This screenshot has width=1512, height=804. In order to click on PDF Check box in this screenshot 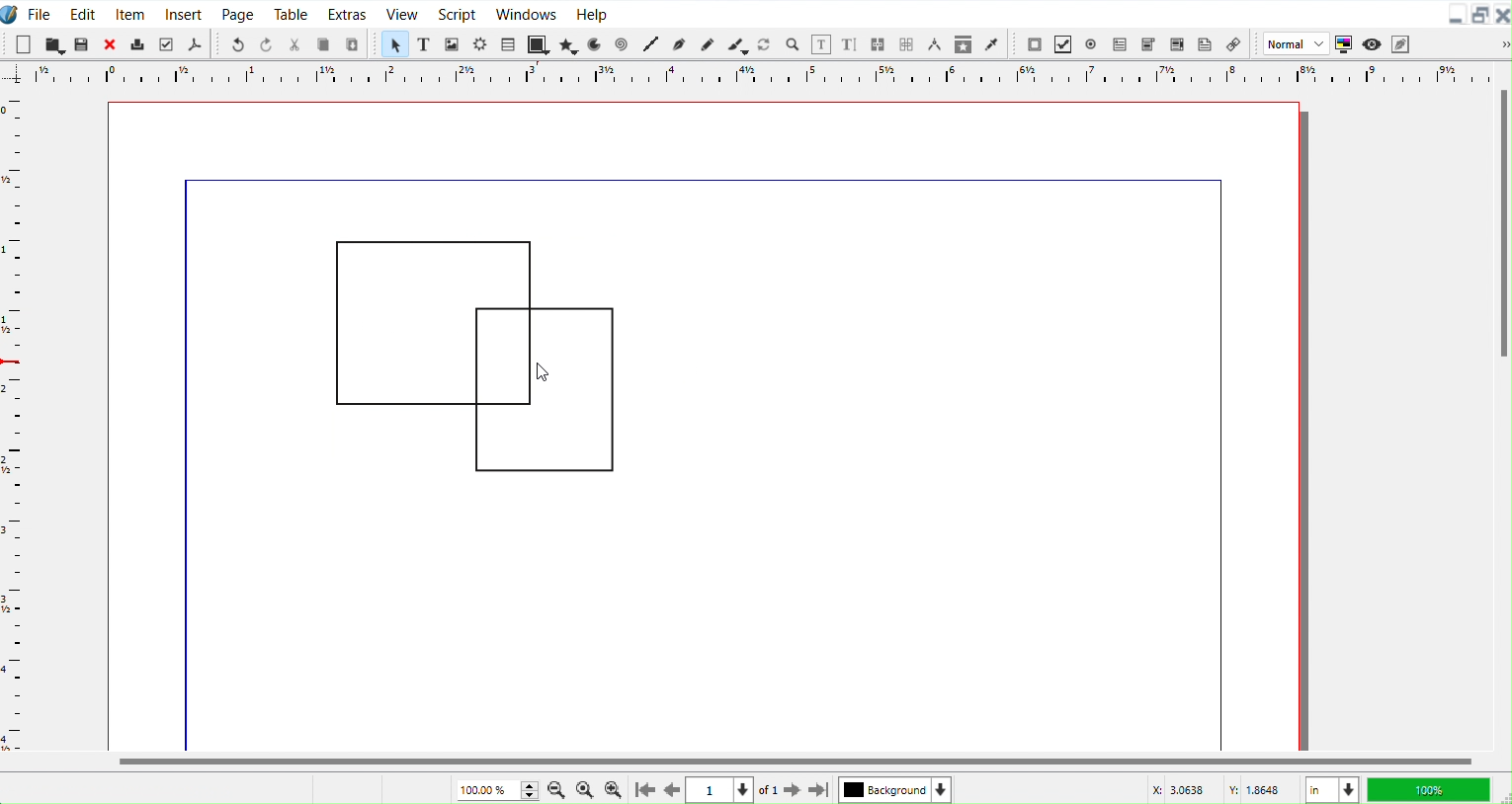, I will do `click(1062, 43)`.